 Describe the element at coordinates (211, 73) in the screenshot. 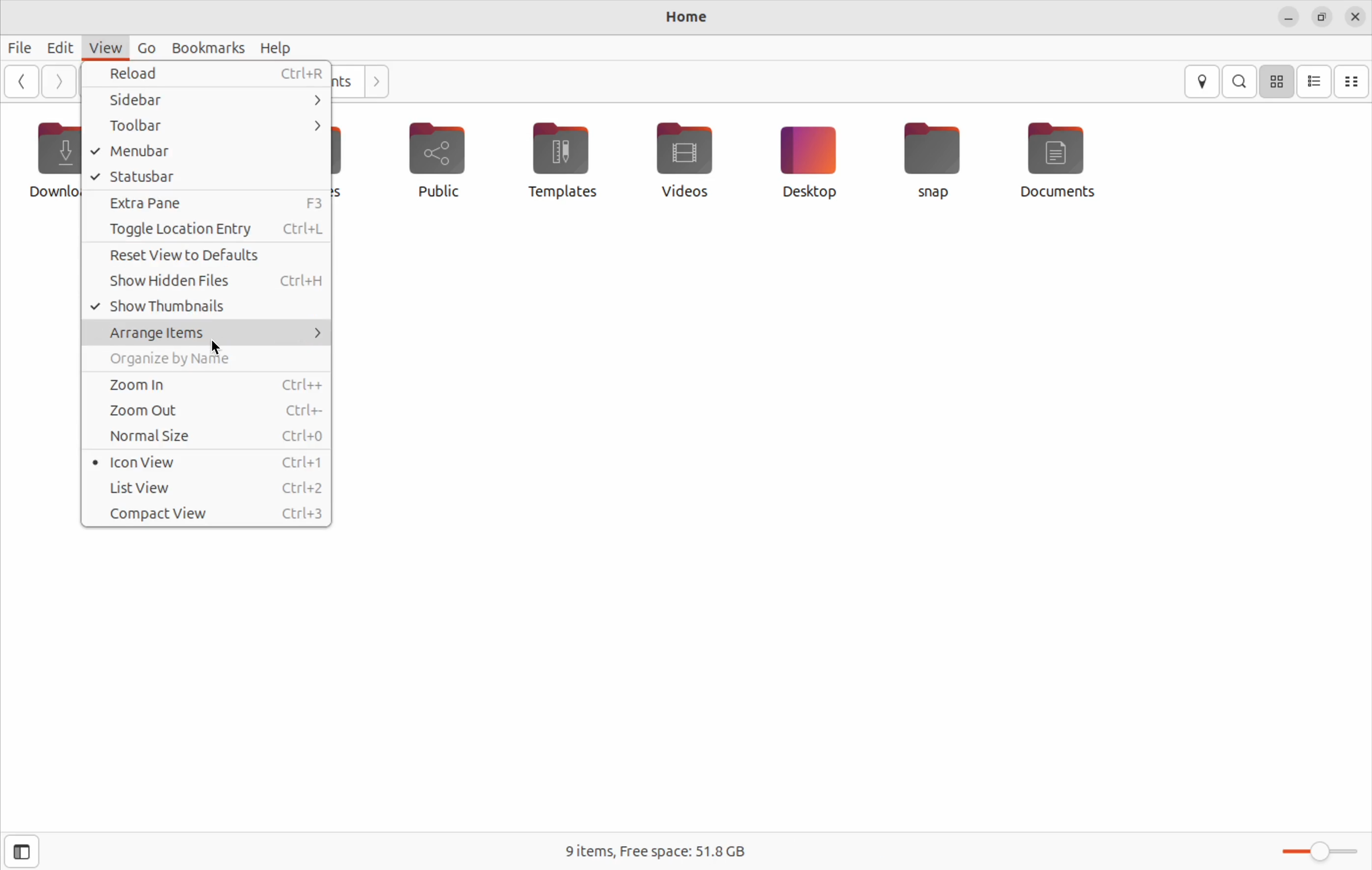

I see `reload` at that location.